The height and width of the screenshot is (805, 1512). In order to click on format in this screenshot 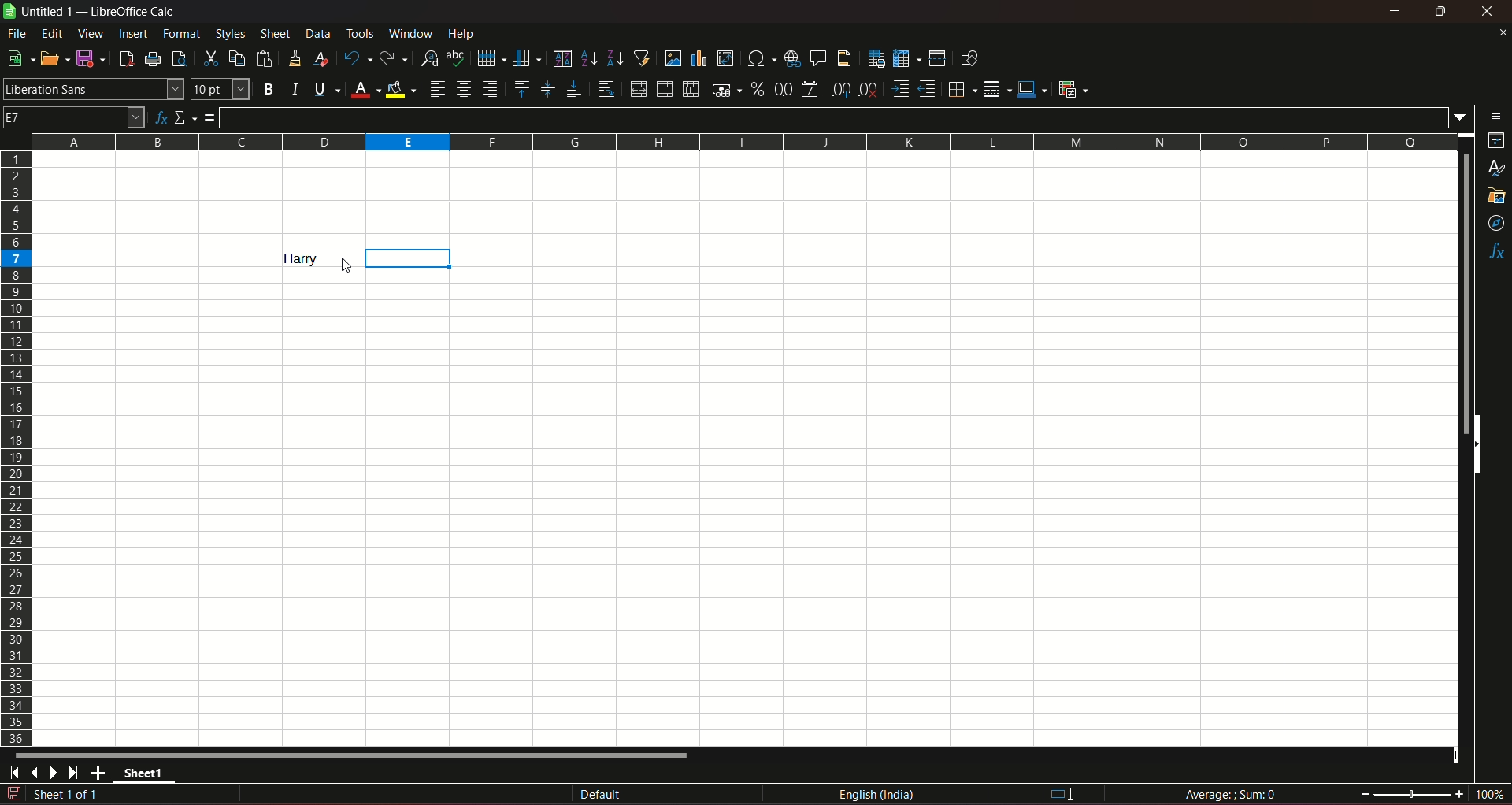, I will do `click(183, 33)`.